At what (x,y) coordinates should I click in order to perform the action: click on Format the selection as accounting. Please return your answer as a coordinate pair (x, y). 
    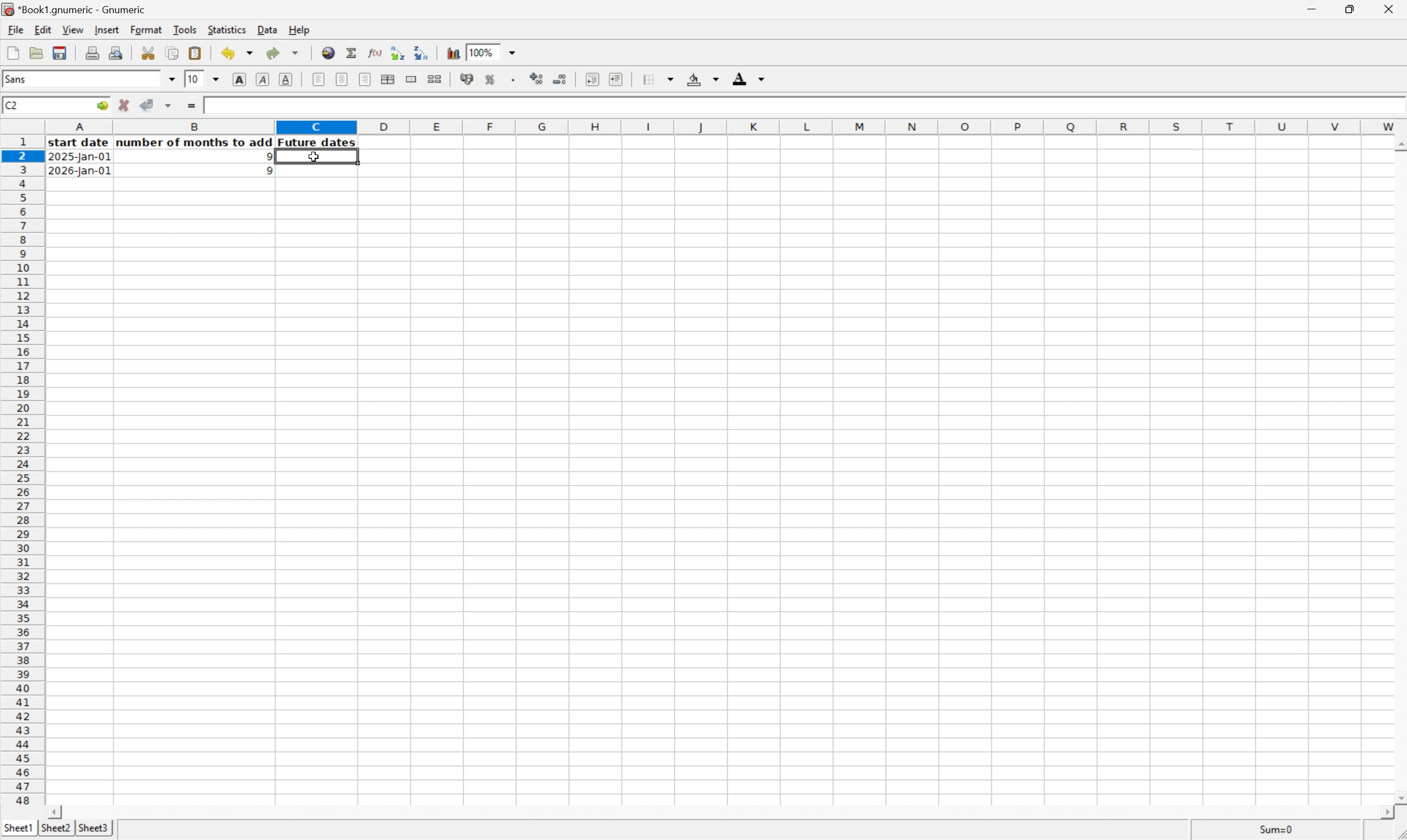
    Looking at the image, I should click on (465, 79).